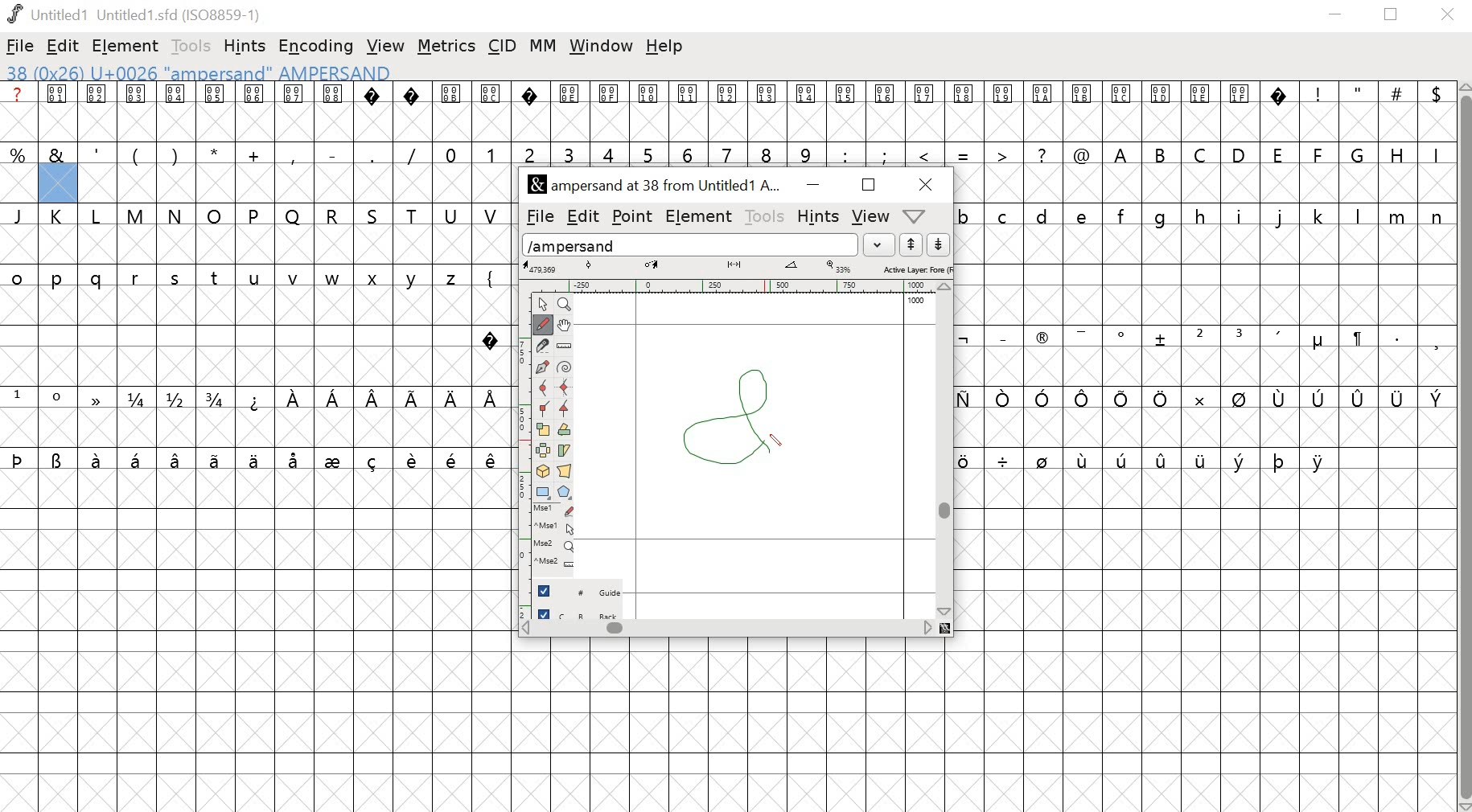  I want to click on 4, so click(611, 154).